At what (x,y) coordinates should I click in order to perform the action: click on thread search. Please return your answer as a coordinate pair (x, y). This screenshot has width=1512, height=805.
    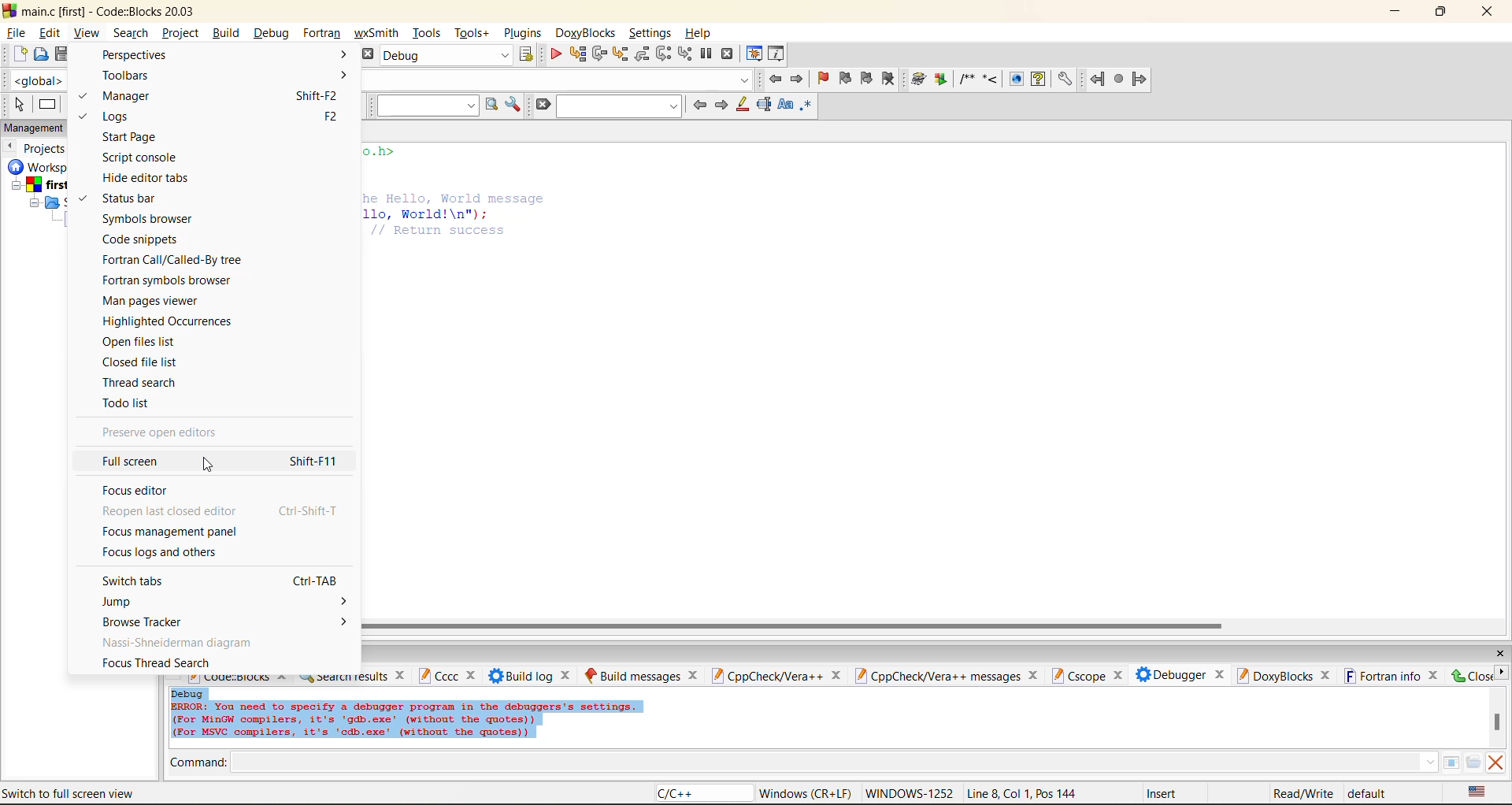
    Looking at the image, I should click on (148, 384).